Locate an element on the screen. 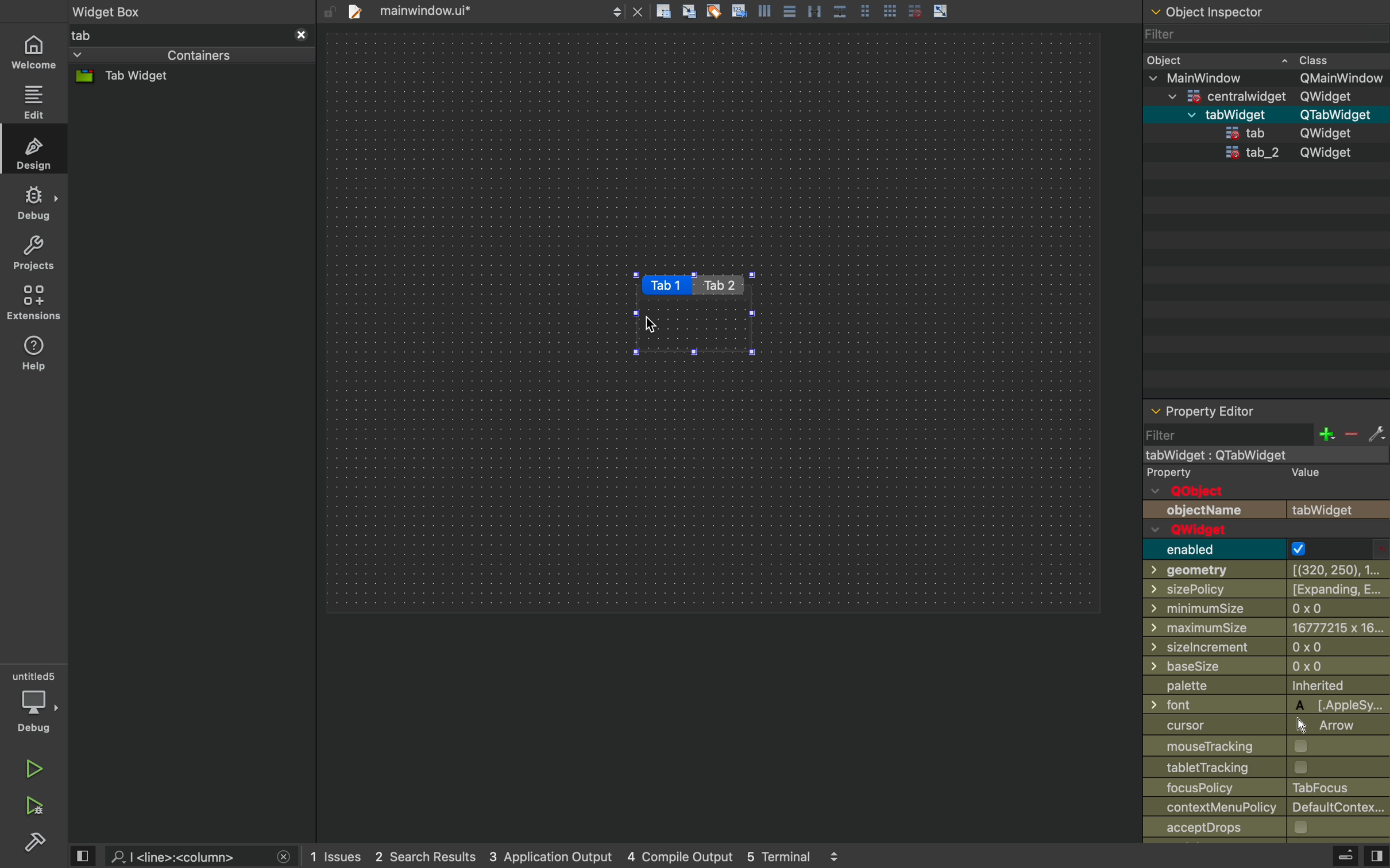 This screenshot has height=868, width=1390. minimum size is located at coordinates (1266, 629).